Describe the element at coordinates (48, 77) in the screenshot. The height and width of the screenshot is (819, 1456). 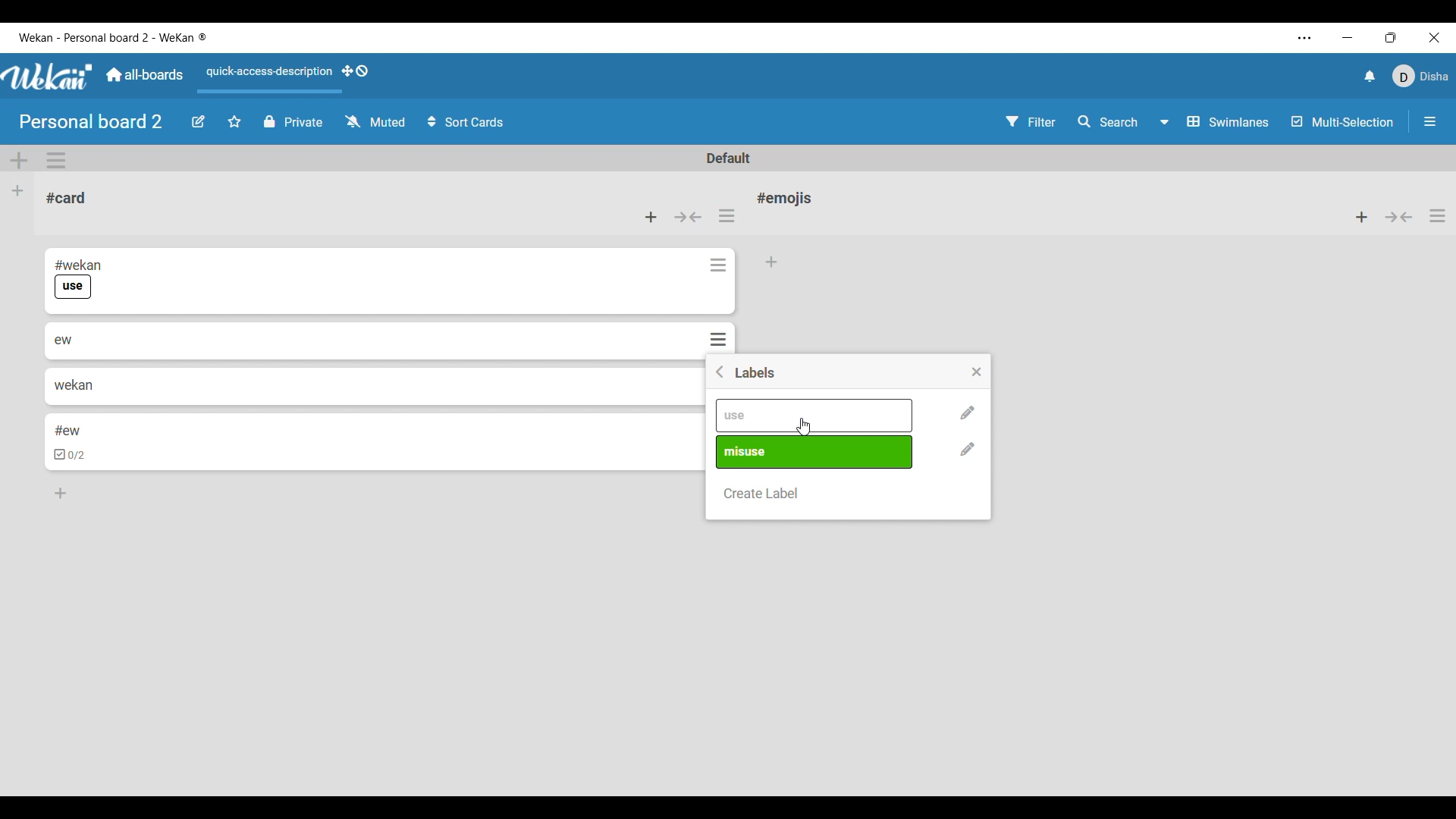
I see `Software logo` at that location.